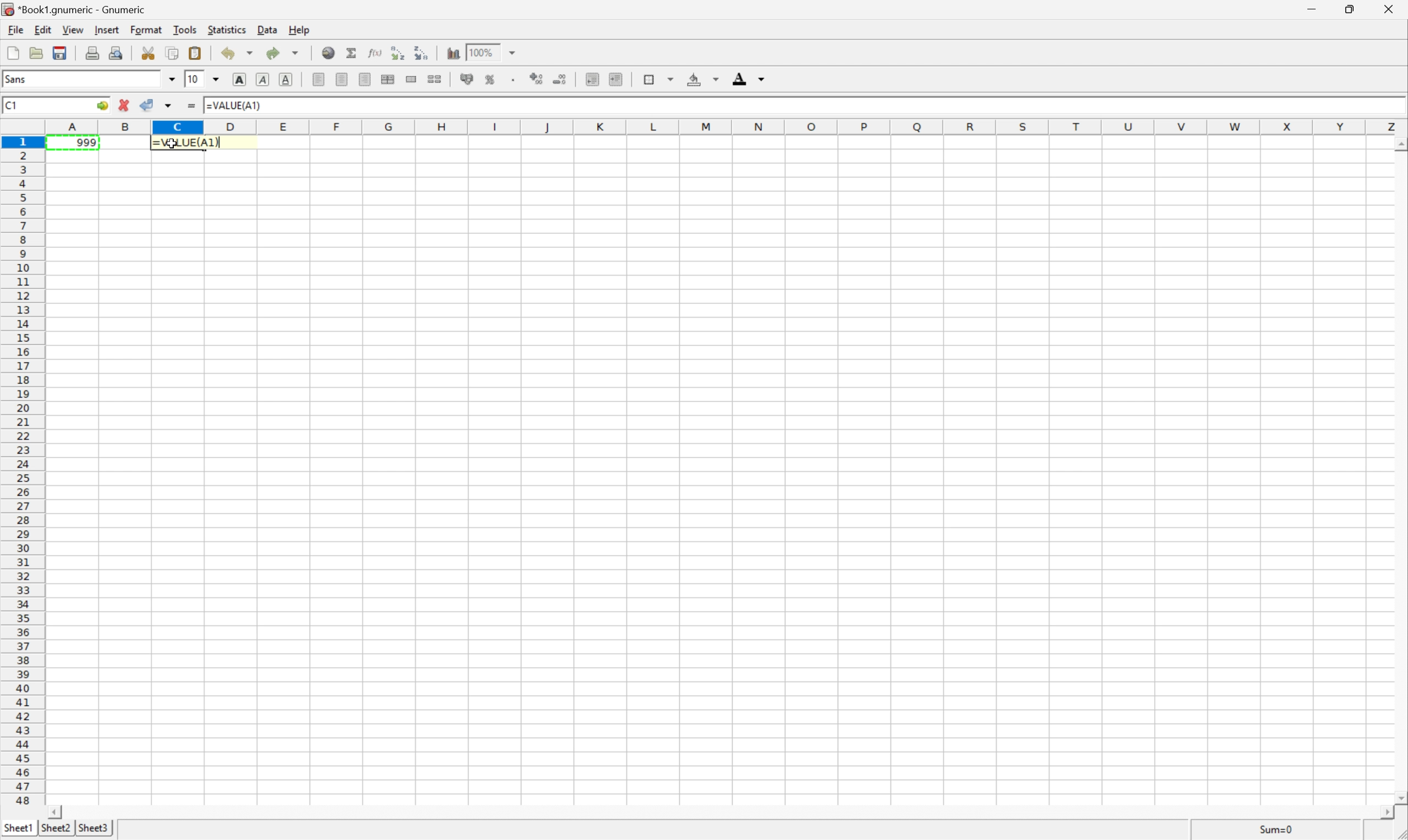 The width and height of the screenshot is (1408, 840). Describe the element at coordinates (749, 78) in the screenshot. I see `foreground` at that location.